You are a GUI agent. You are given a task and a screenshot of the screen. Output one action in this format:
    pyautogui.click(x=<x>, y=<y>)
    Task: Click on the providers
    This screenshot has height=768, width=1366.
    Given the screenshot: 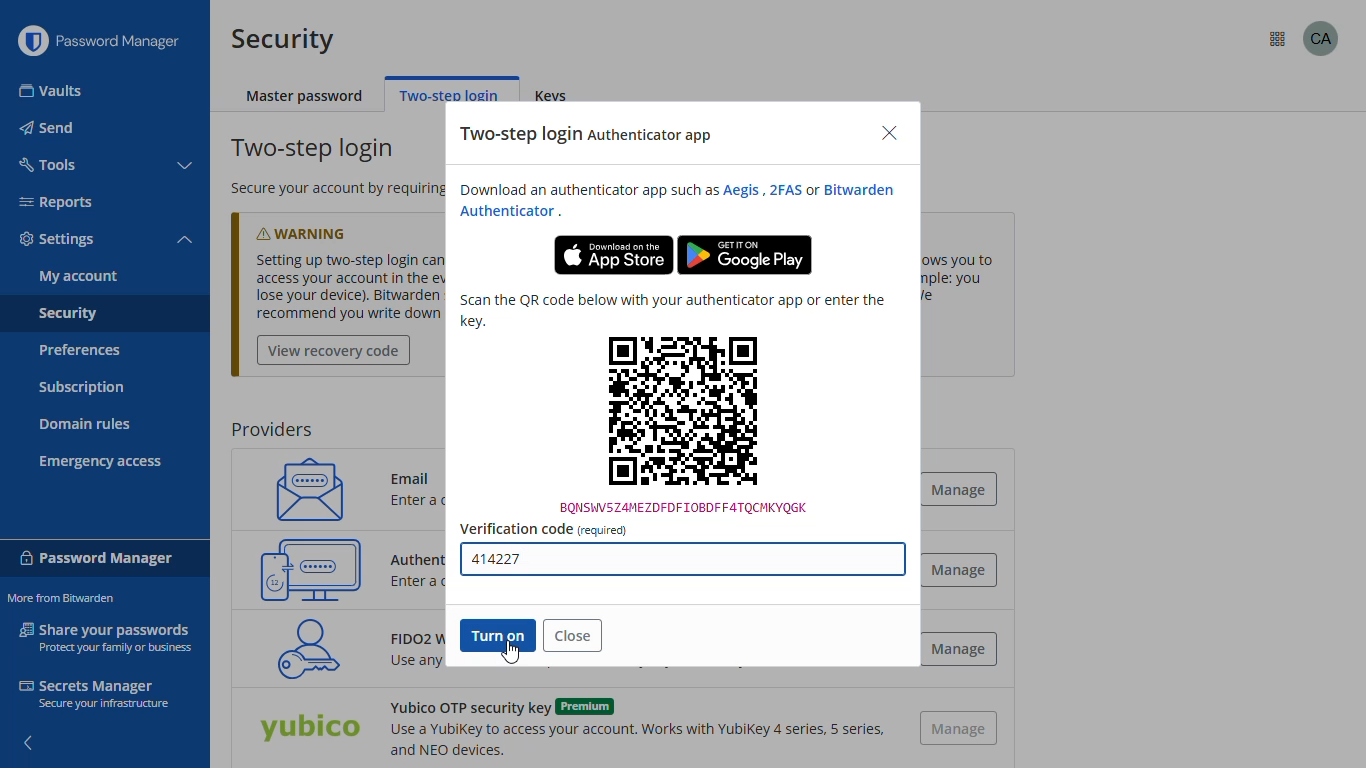 What is the action you would take?
    pyautogui.click(x=271, y=430)
    